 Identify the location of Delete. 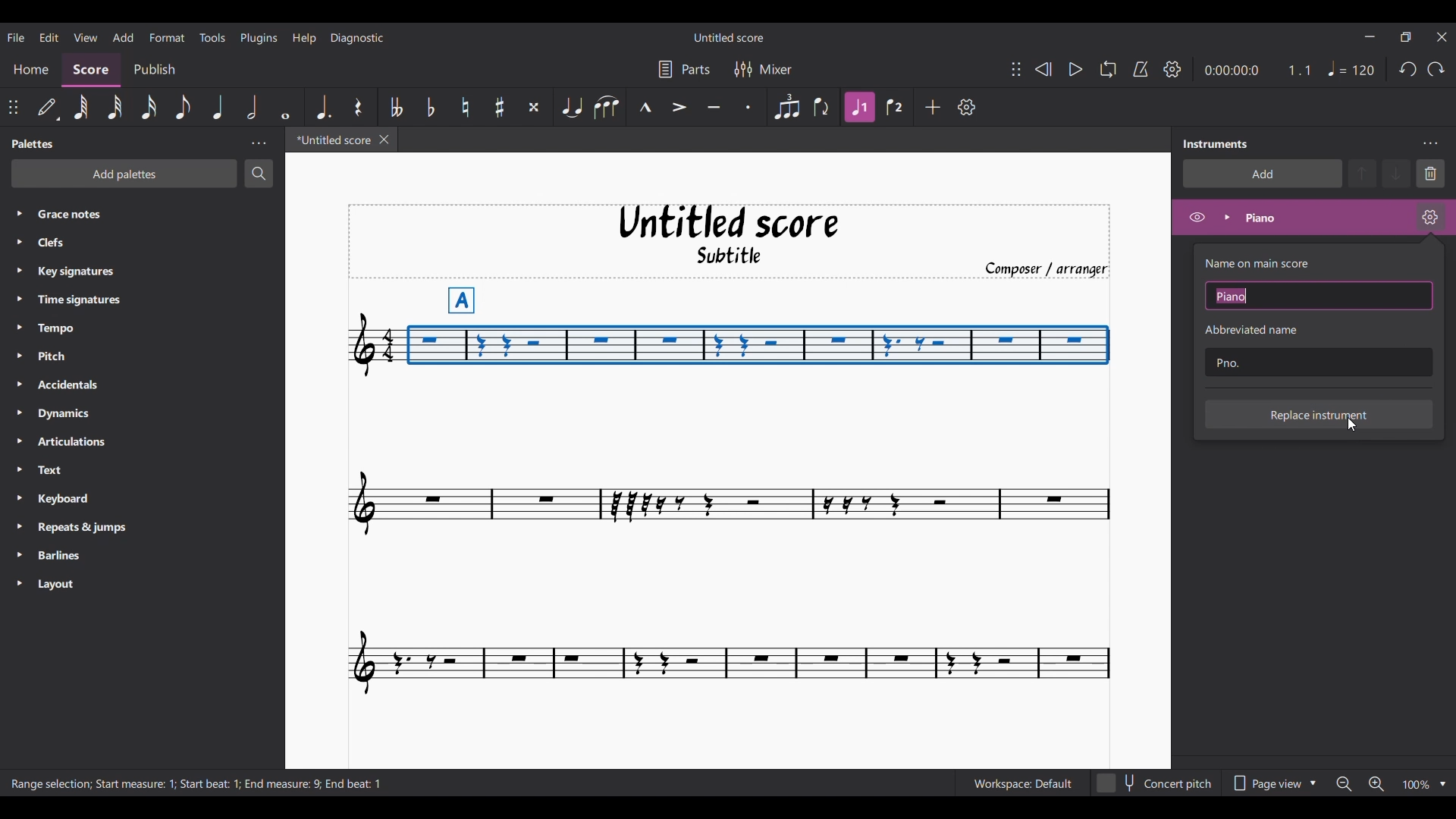
(1431, 174).